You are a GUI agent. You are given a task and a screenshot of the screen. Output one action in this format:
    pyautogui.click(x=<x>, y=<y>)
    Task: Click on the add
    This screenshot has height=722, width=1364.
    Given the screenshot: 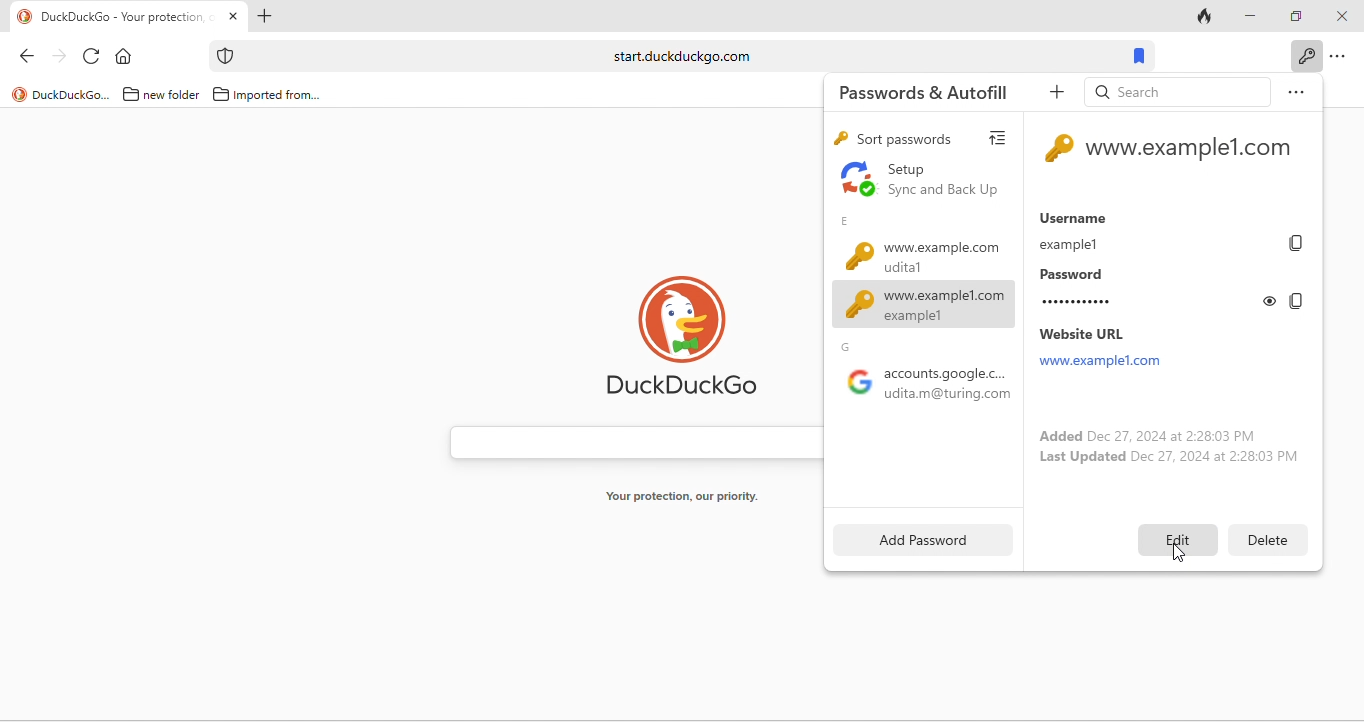 What is the action you would take?
    pyautogui.click(x=1060, y=93)
    